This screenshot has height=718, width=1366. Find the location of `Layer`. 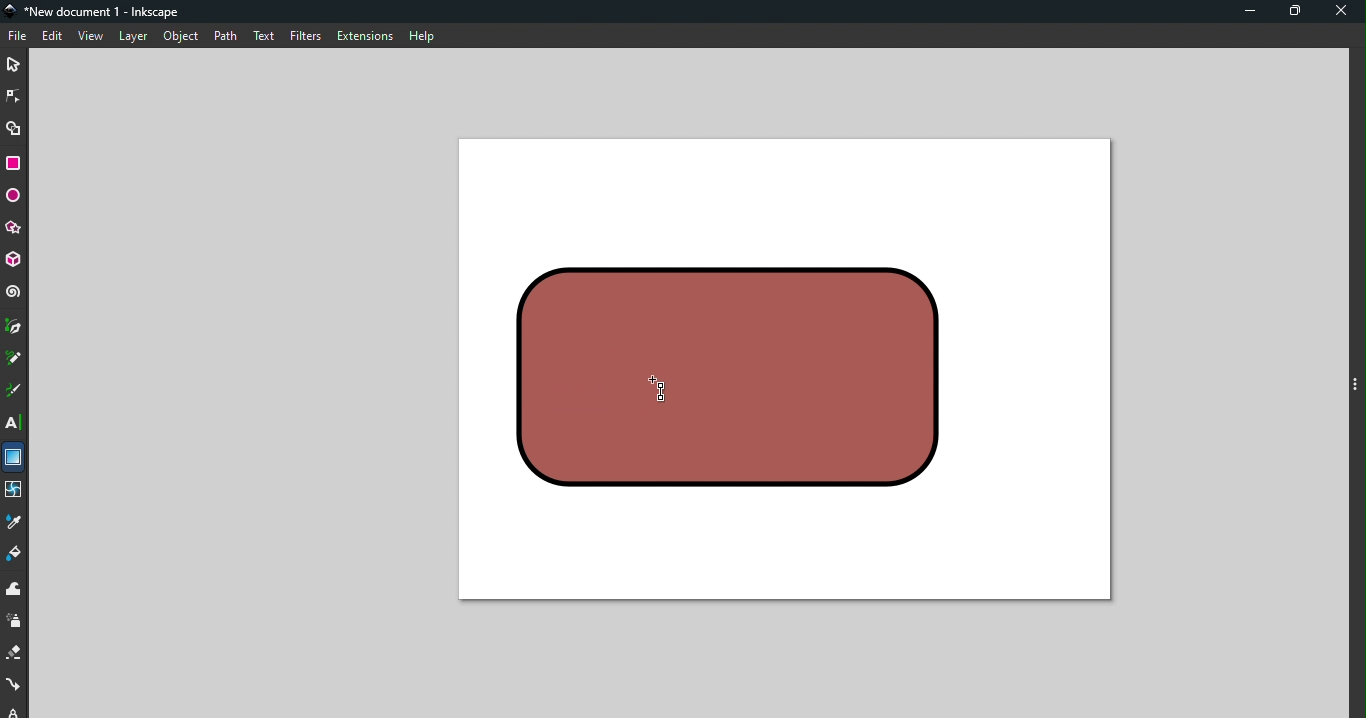

Layer is located at coordinates (133, 37).